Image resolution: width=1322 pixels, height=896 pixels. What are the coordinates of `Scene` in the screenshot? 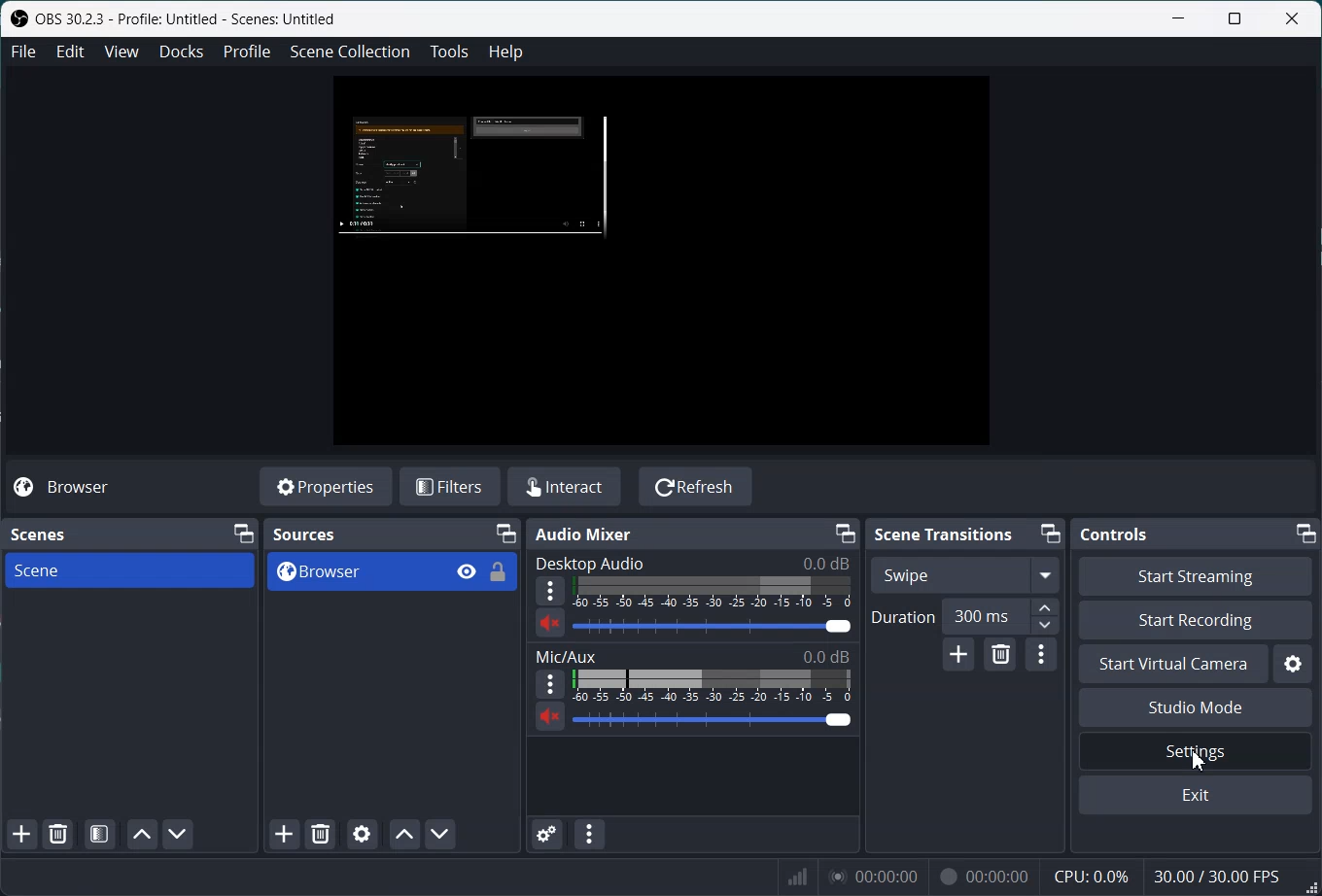 It's located at (130, 571).